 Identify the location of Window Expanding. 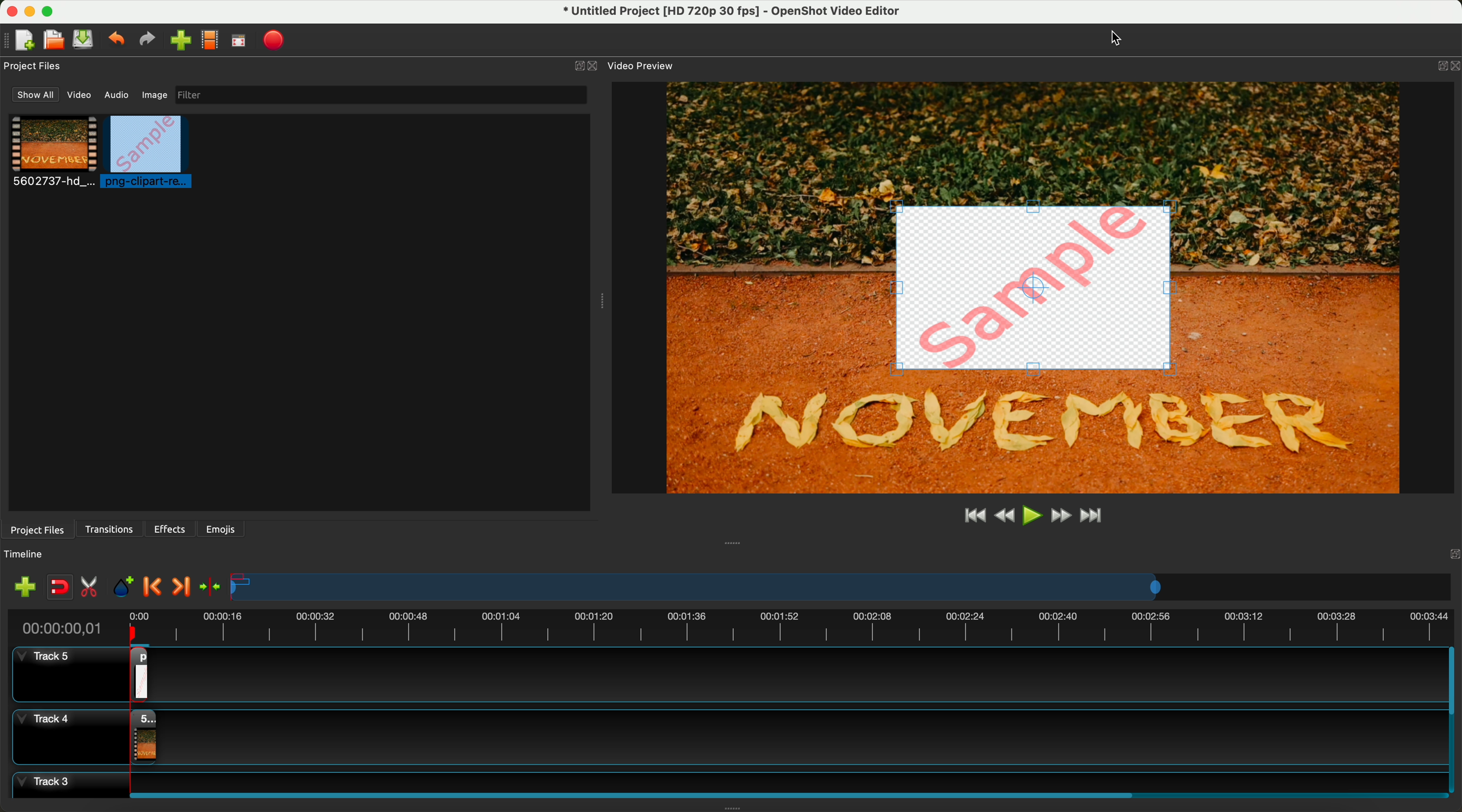
(734, 807).